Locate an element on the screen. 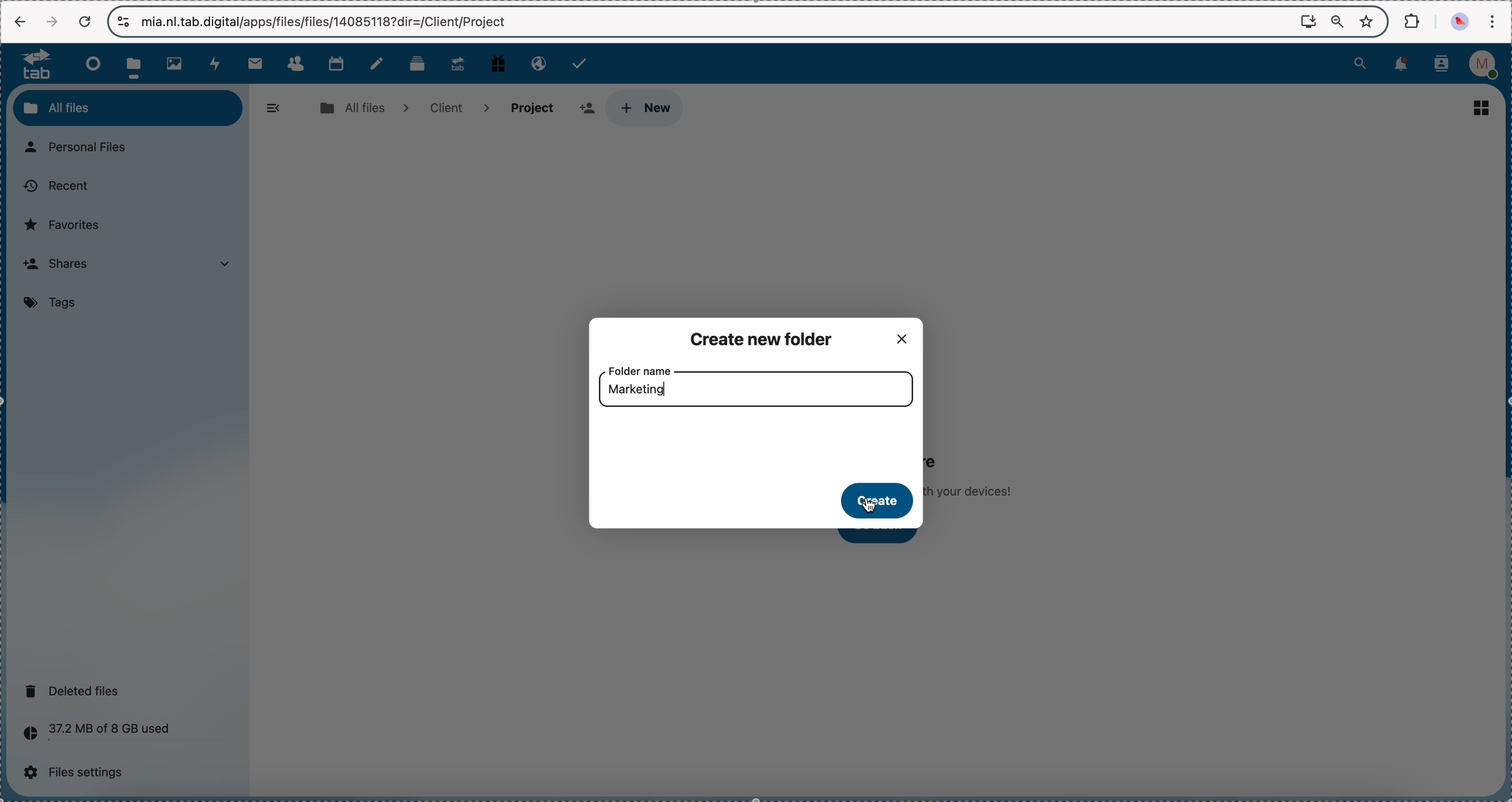 This screenshot has height=802, width=1512. favorites is located at coordinates (66, 224).